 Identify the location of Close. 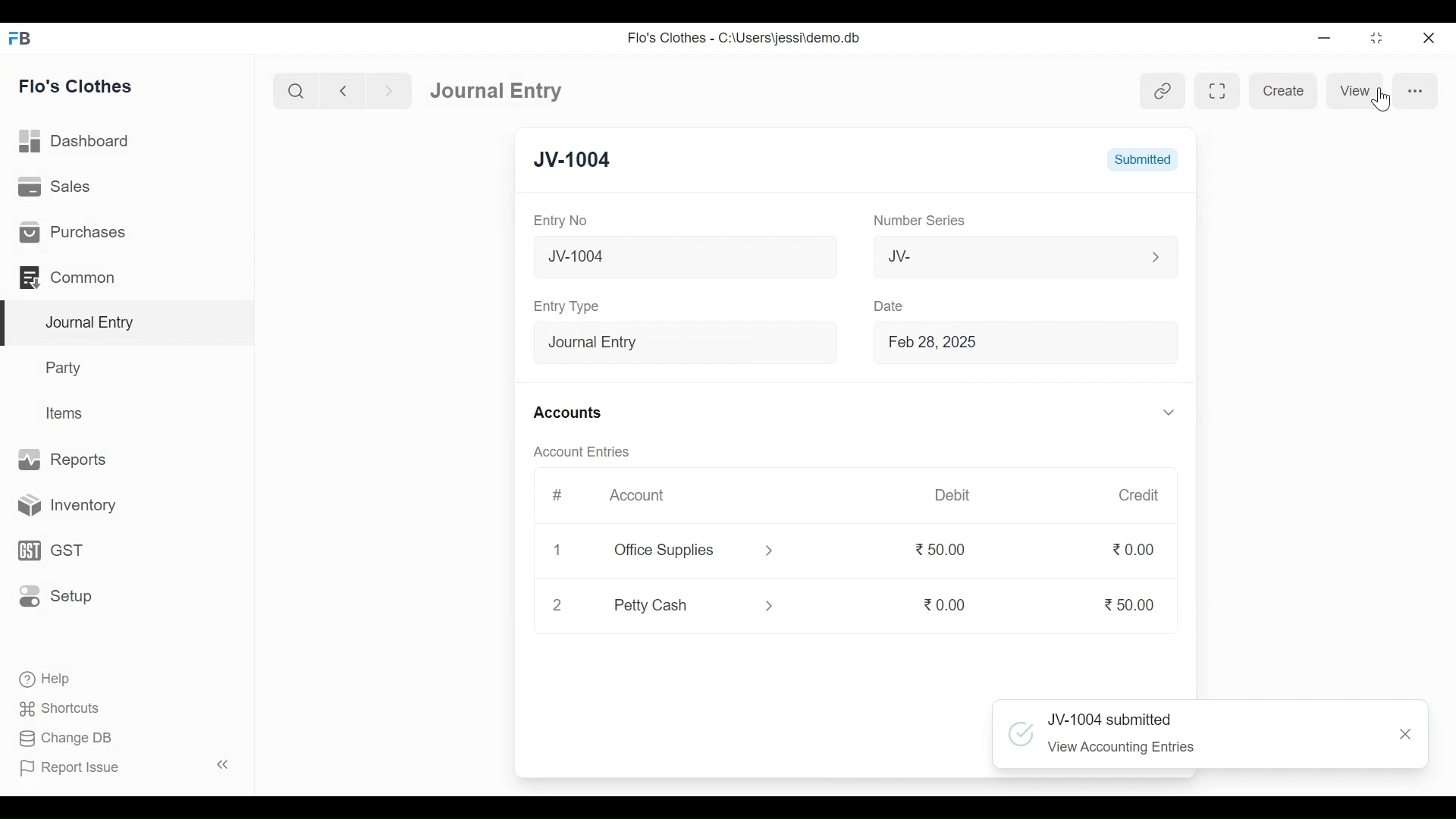
(1429, 39).